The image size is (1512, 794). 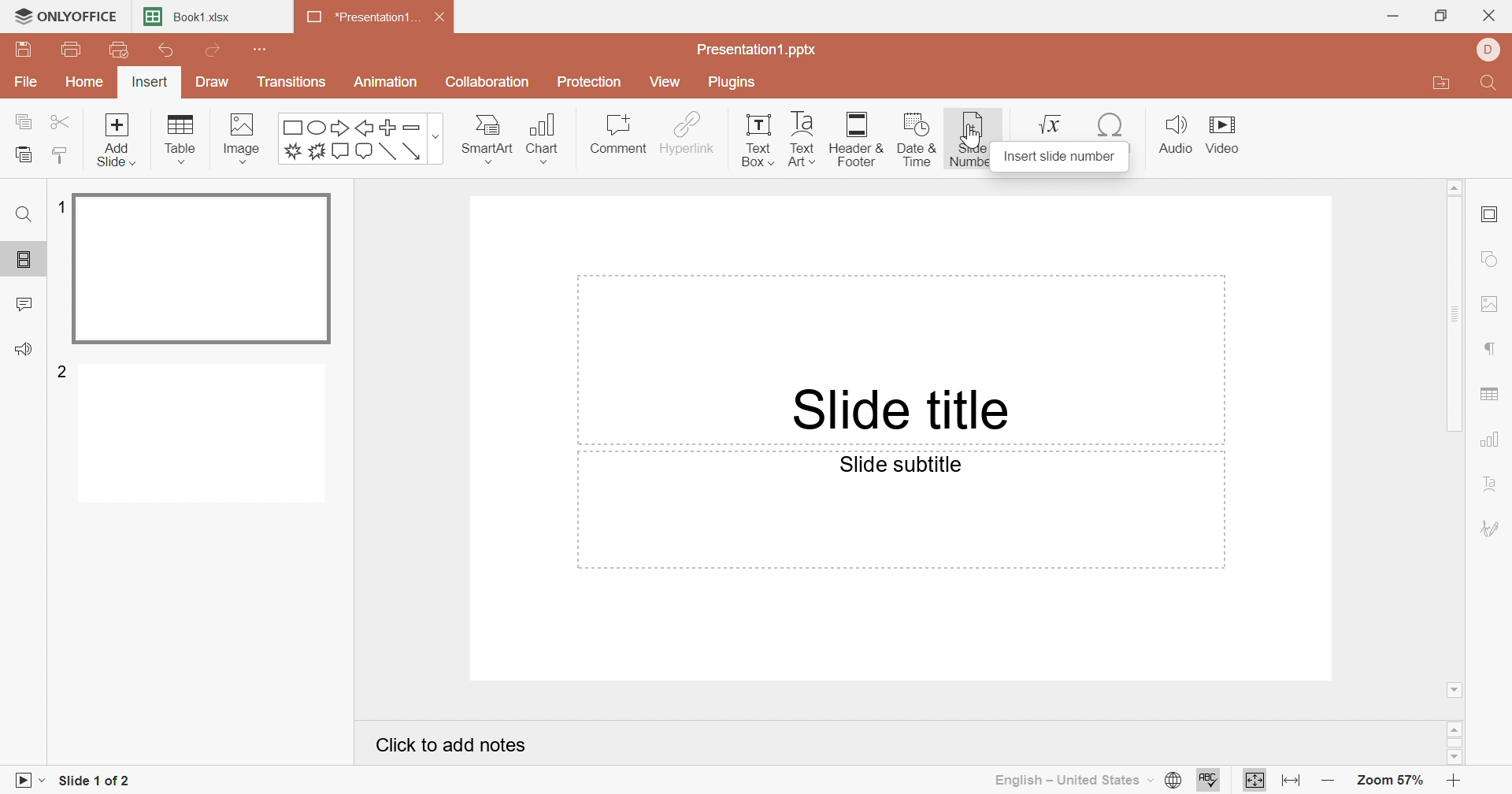 I want to click on Shapes, so click(x=362, y=139).